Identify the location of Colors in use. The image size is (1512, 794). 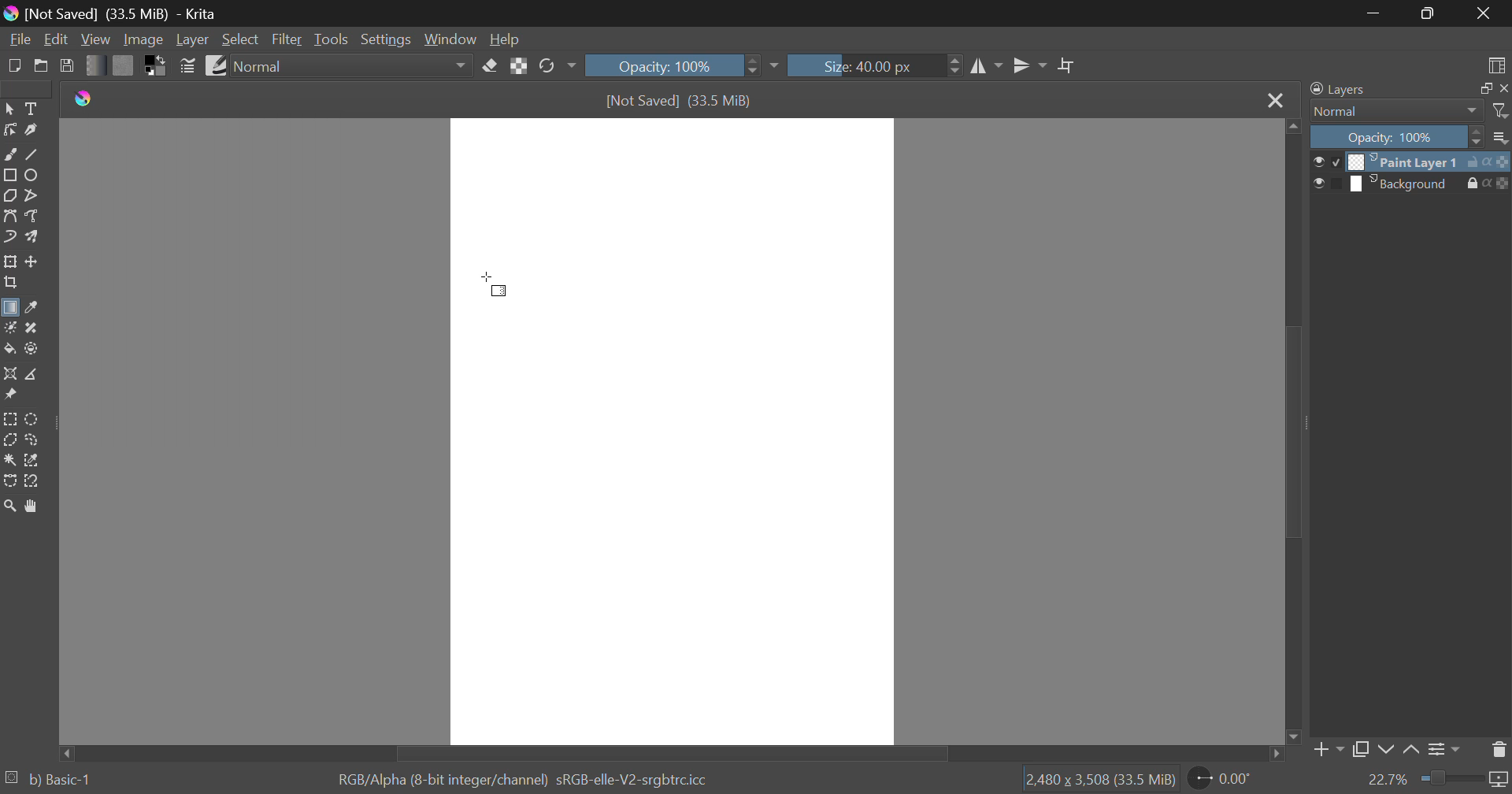
(156, 65).